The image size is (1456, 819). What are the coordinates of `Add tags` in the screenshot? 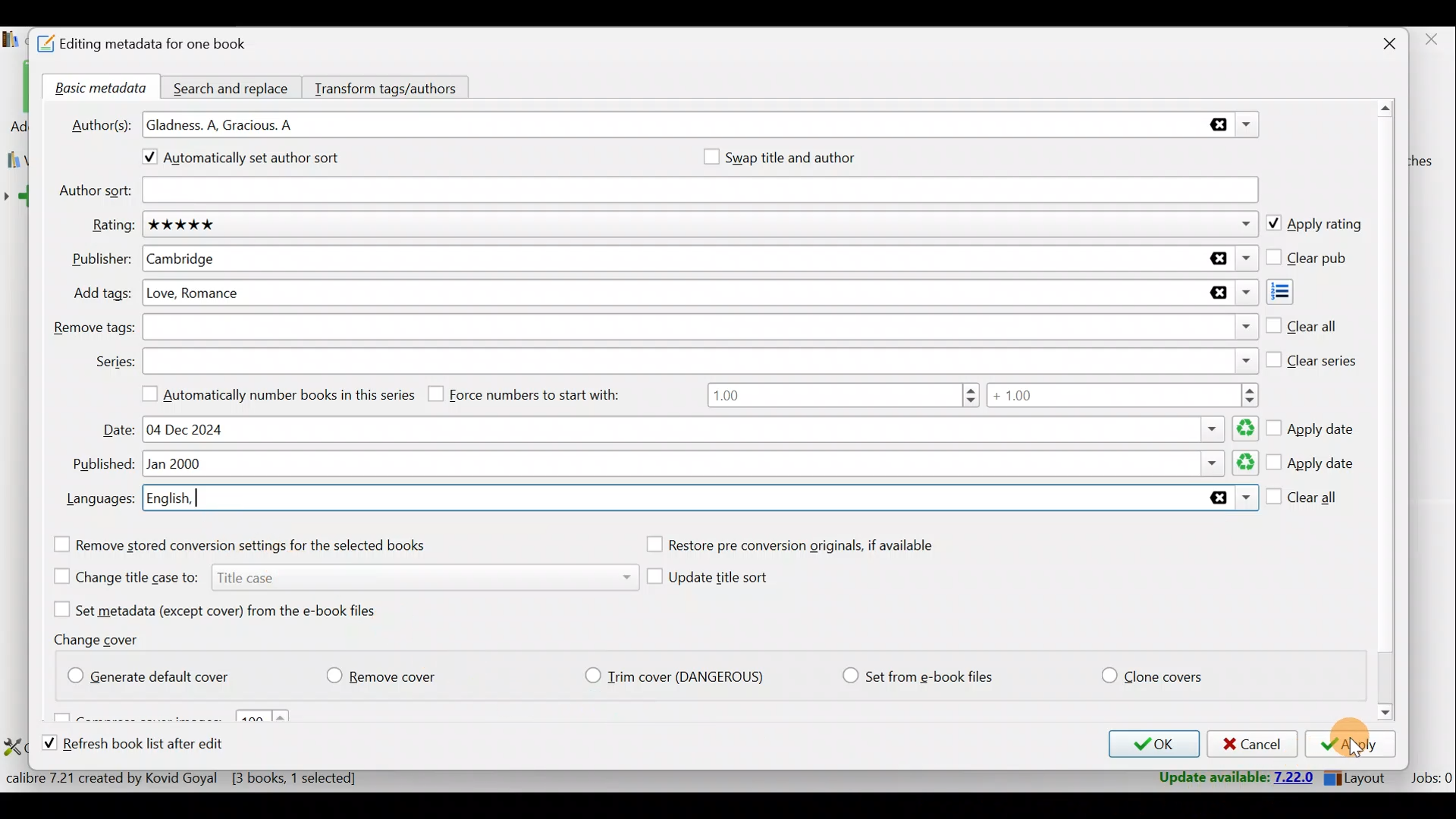 It's located at (698, 293).